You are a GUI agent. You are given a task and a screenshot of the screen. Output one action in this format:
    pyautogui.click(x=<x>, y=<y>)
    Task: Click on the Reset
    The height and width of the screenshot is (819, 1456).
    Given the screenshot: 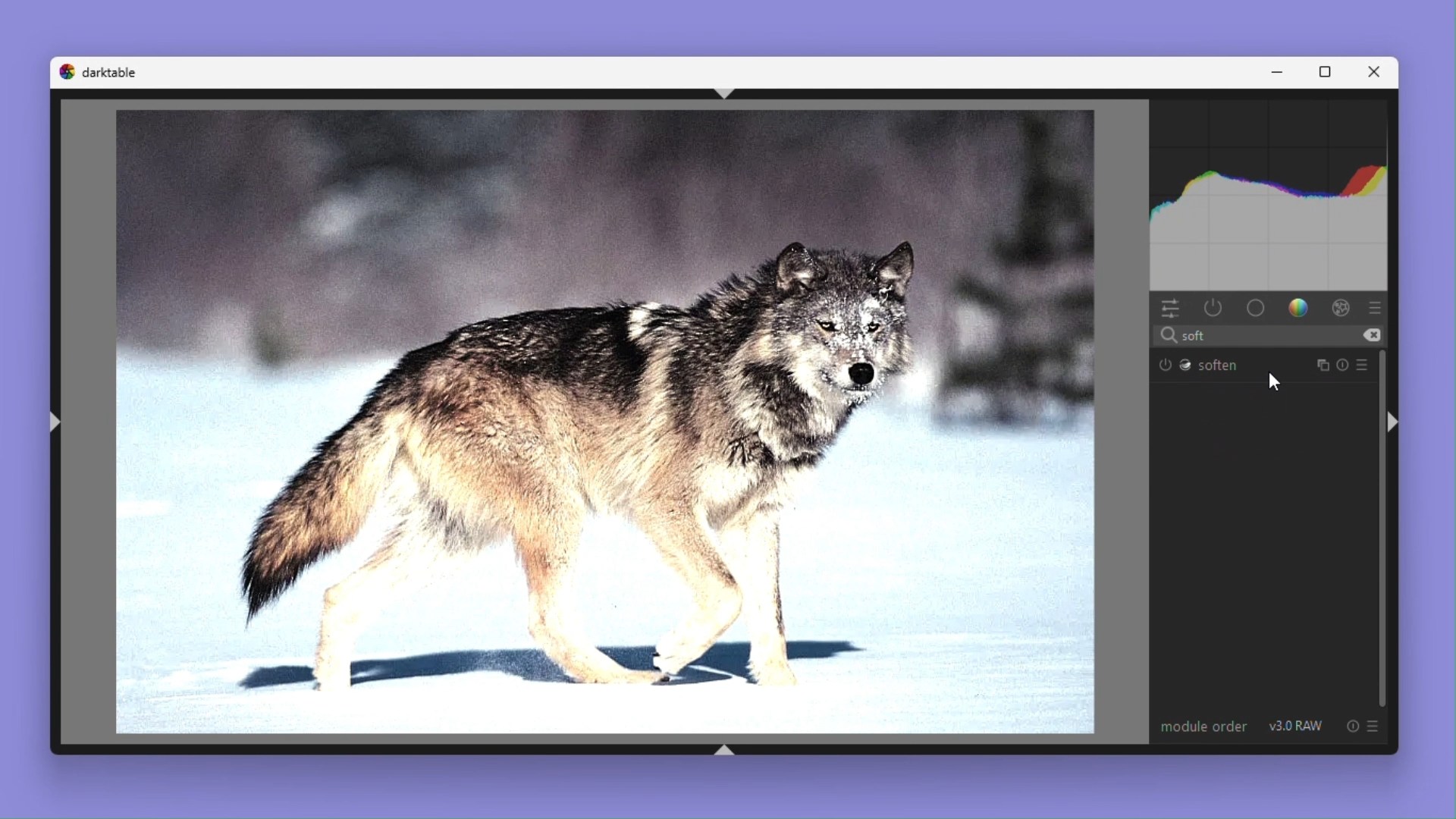 What is the action you would take?
    pyautogui.click(x=1344, y=366)
    